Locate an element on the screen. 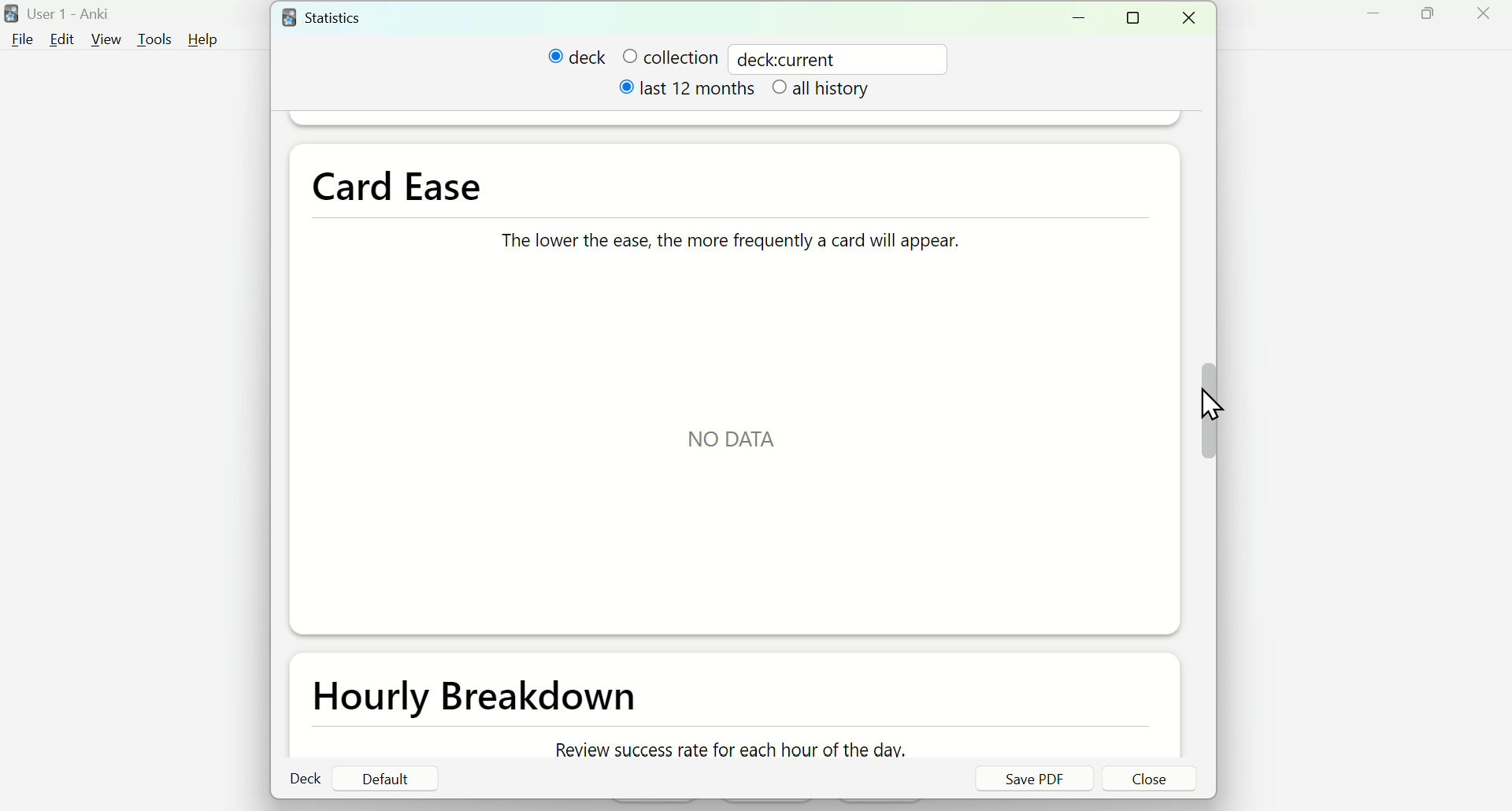  Mininize is located at coordinates (1084, 17).